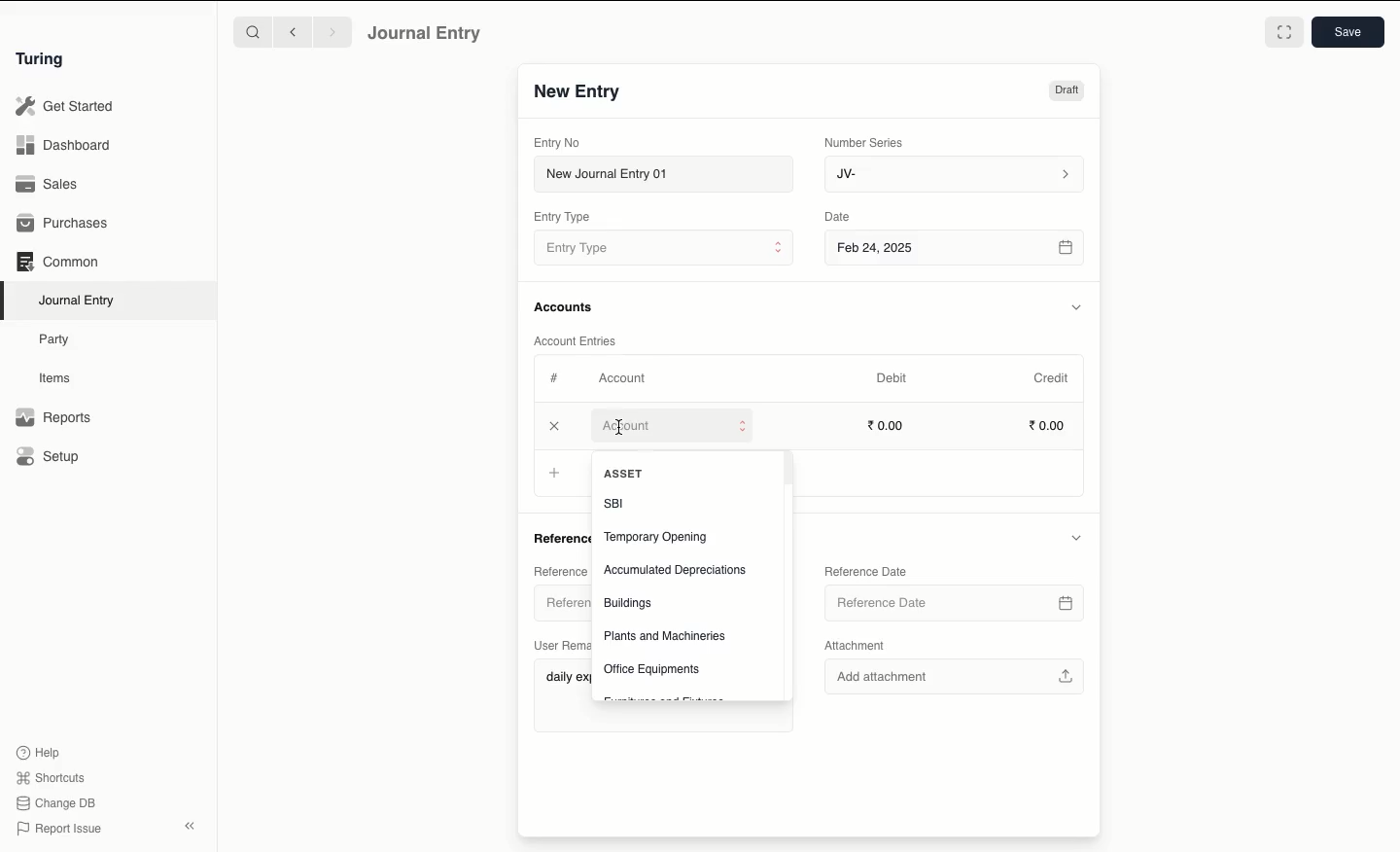 The height and width of the screenshot is (852, 1400). I want to click on Entry Type, so click(663, 247).